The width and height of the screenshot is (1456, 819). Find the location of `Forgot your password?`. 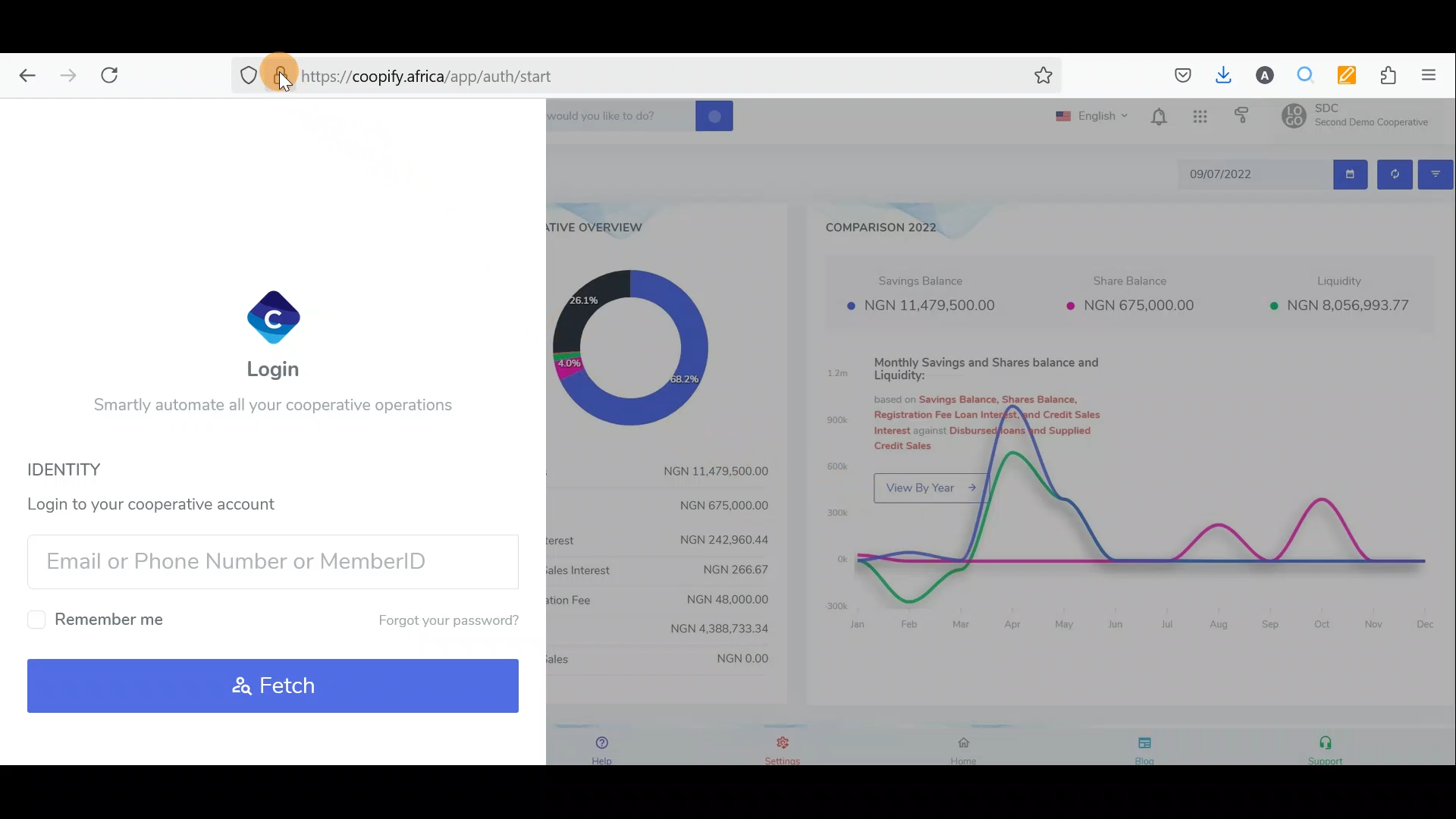

Forgot your password? is located at coordinates (435, 621).